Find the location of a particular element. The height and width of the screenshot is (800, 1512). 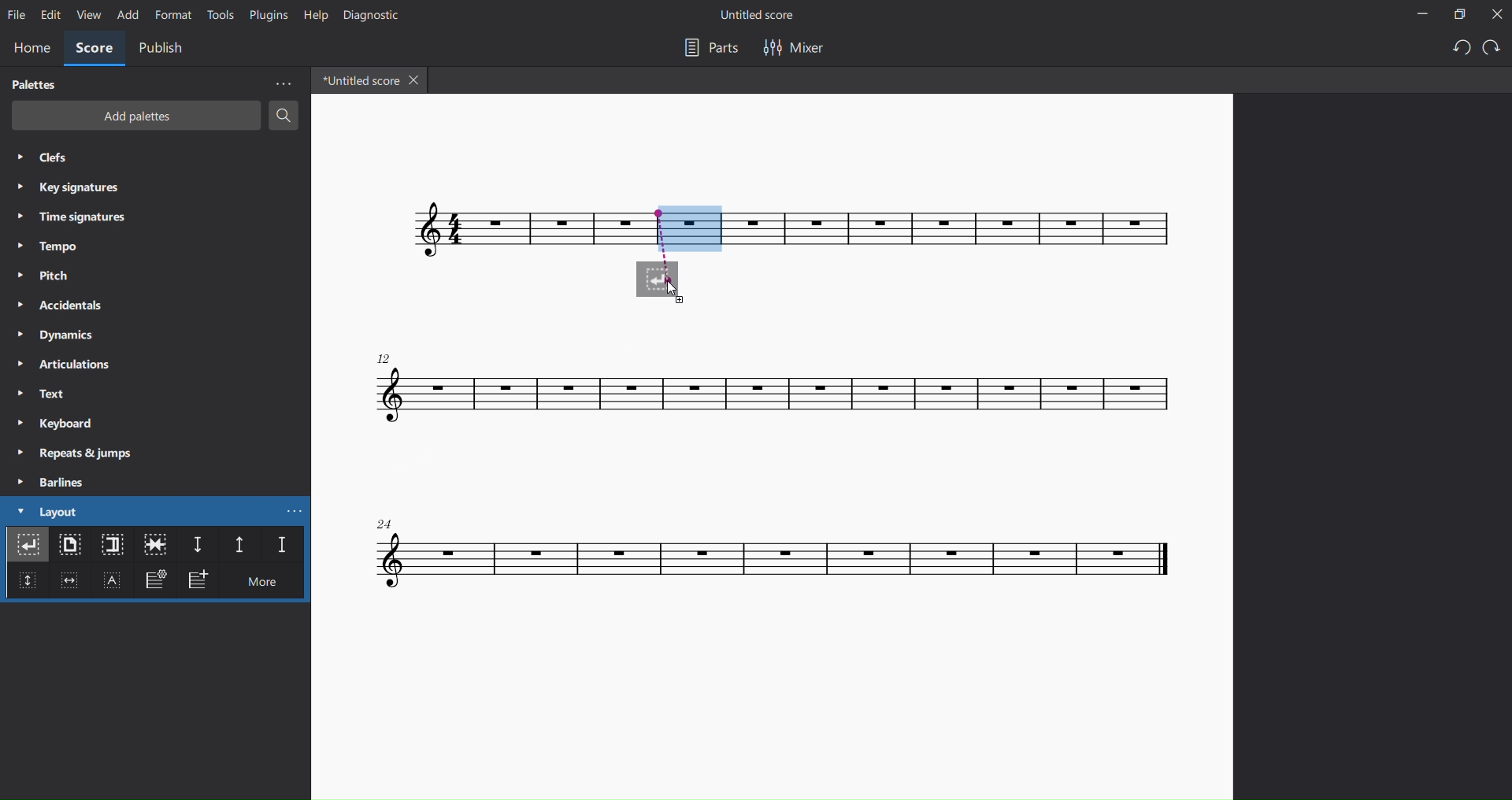

edit is located at coordinates (50, 15).